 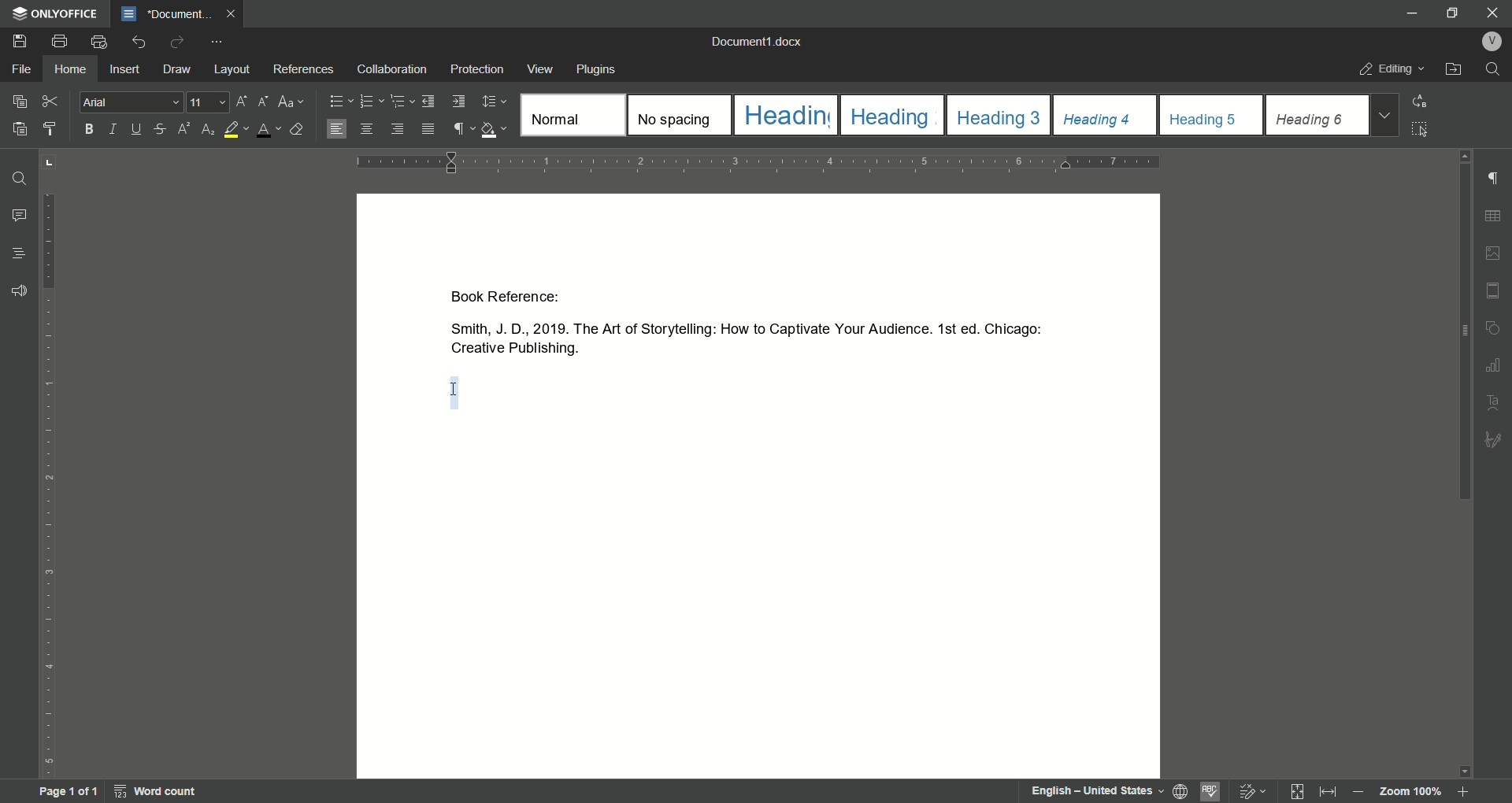 I want to click on quick print, so click(x=100, y=42).